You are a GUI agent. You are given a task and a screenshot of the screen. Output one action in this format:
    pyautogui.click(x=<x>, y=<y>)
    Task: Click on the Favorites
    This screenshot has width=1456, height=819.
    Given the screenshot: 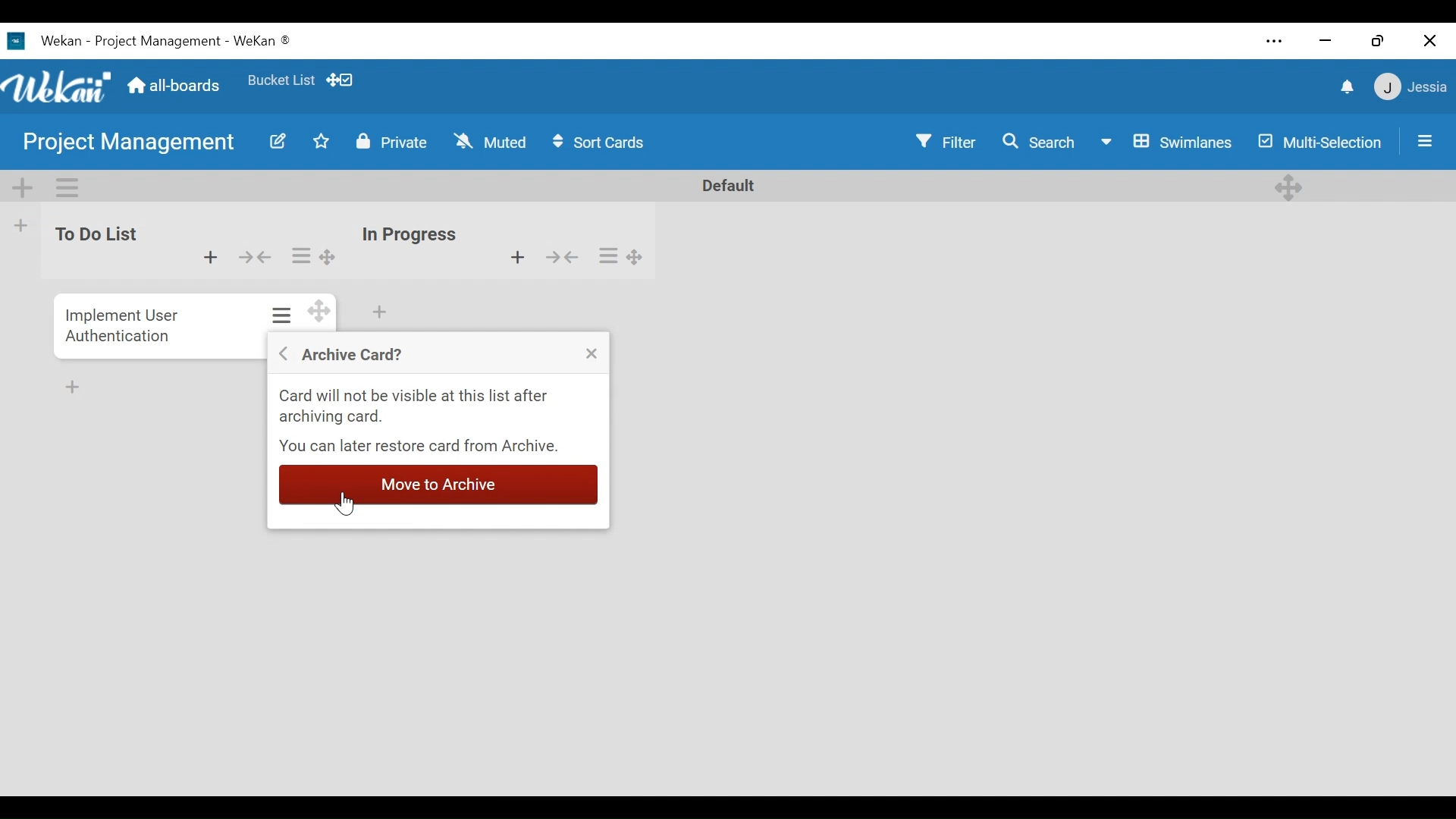 What is the action you would take?
    pyautogui.click(x=283, y=82)
    